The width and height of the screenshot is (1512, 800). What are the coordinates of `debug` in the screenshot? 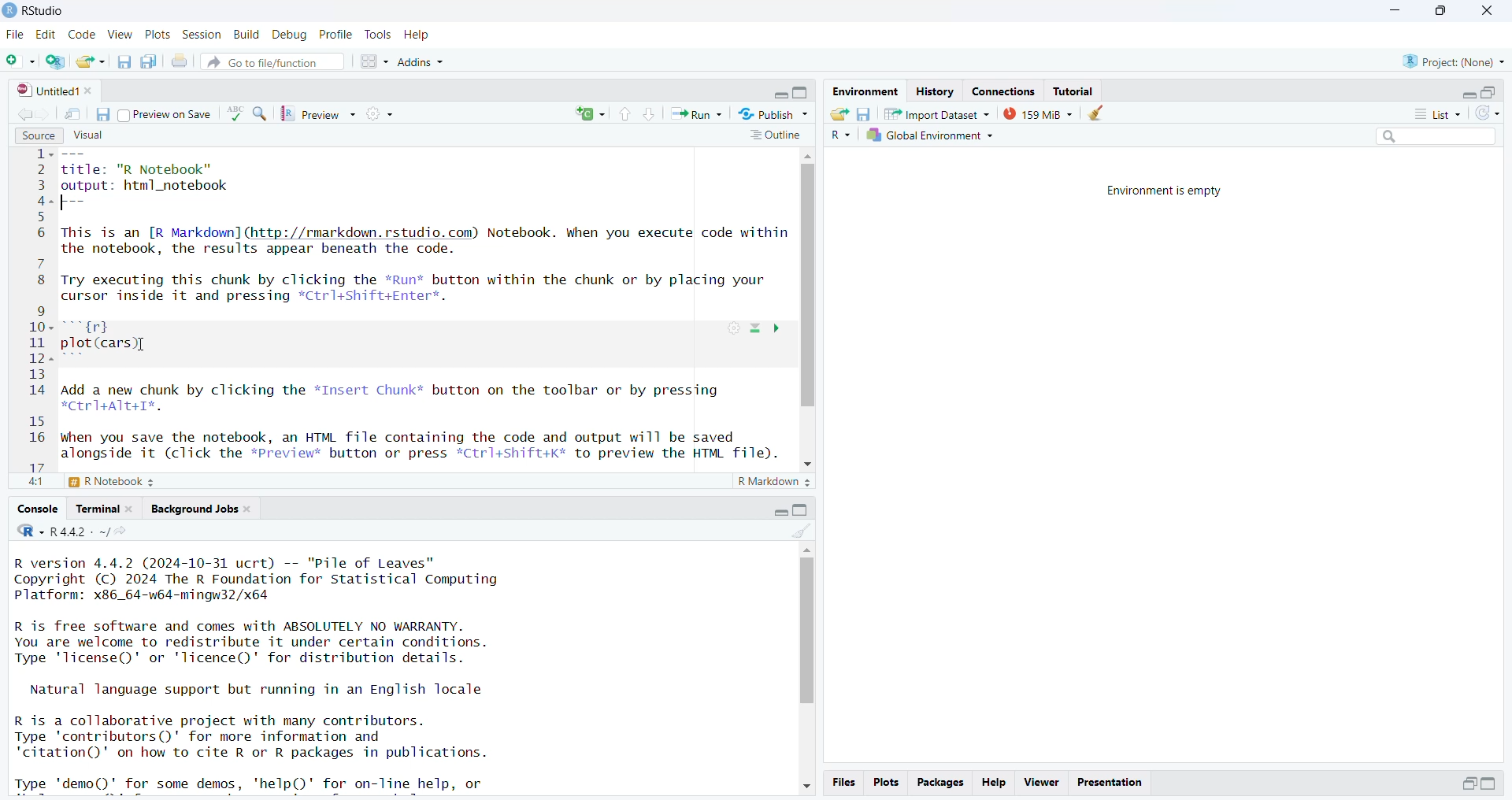 It's located at (291, 35).